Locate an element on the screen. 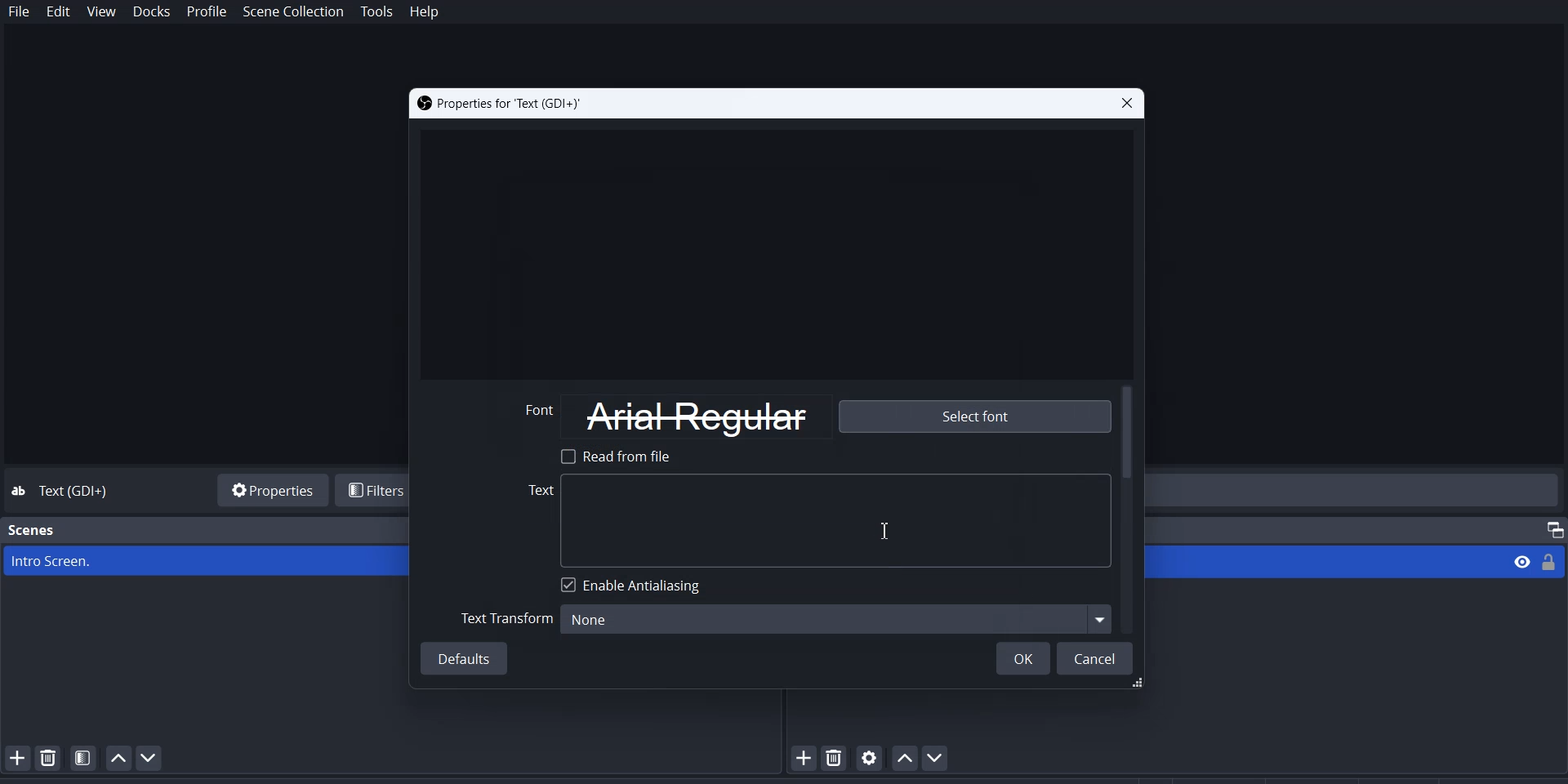 The image size is (1568, 784). Select font is located at coordinates (973, 417).